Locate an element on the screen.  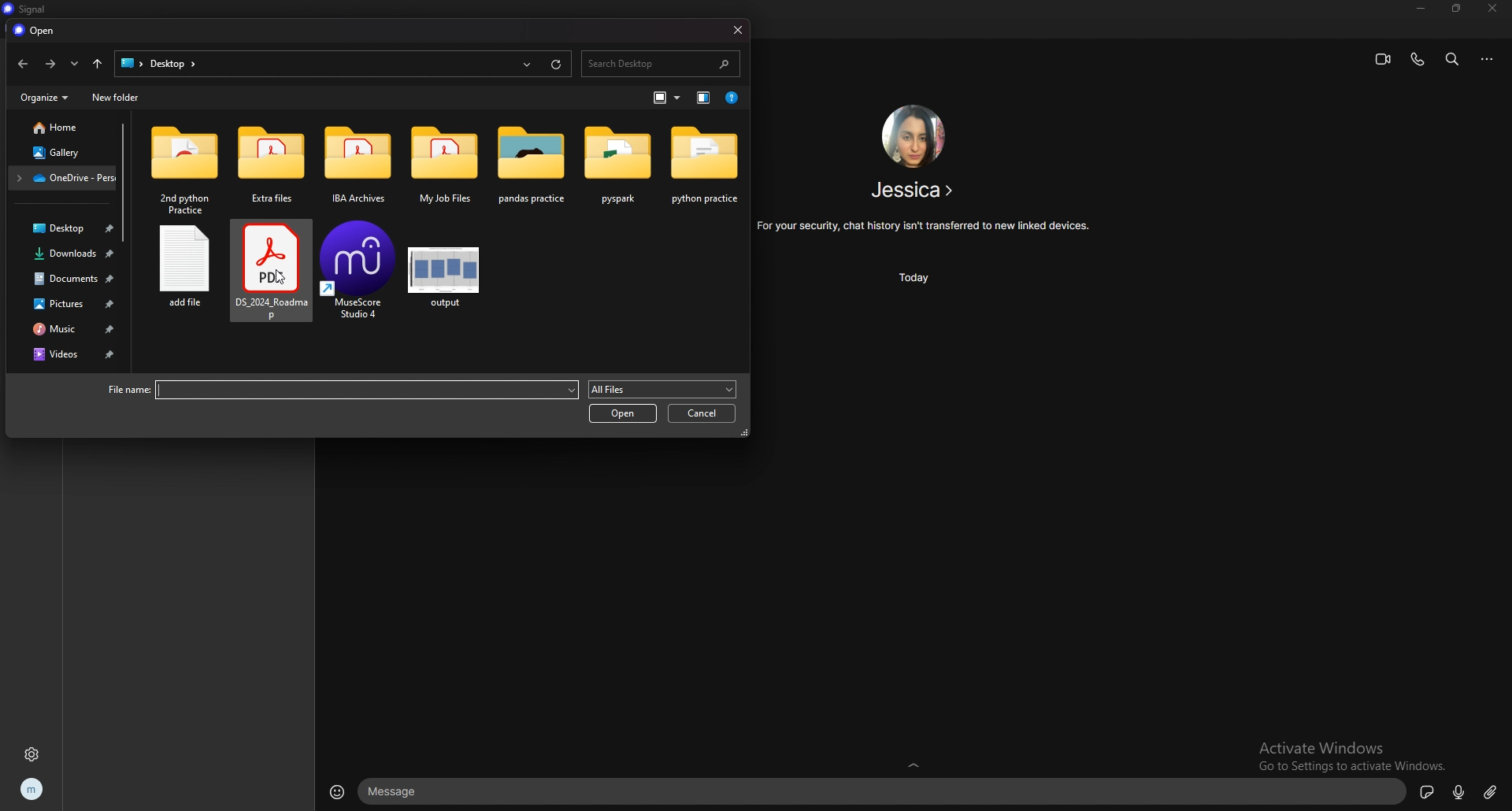
file is located at coordinates (360, 278).